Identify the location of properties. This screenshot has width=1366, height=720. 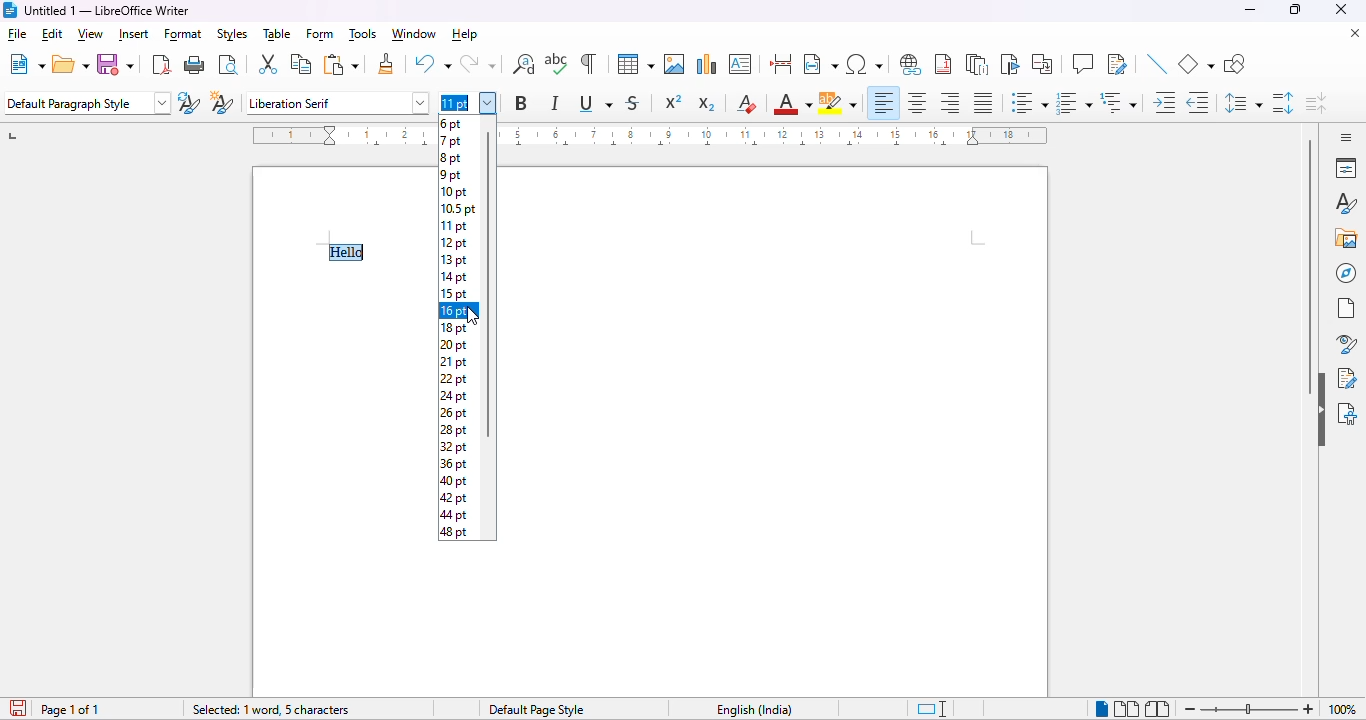
(1346, 168).